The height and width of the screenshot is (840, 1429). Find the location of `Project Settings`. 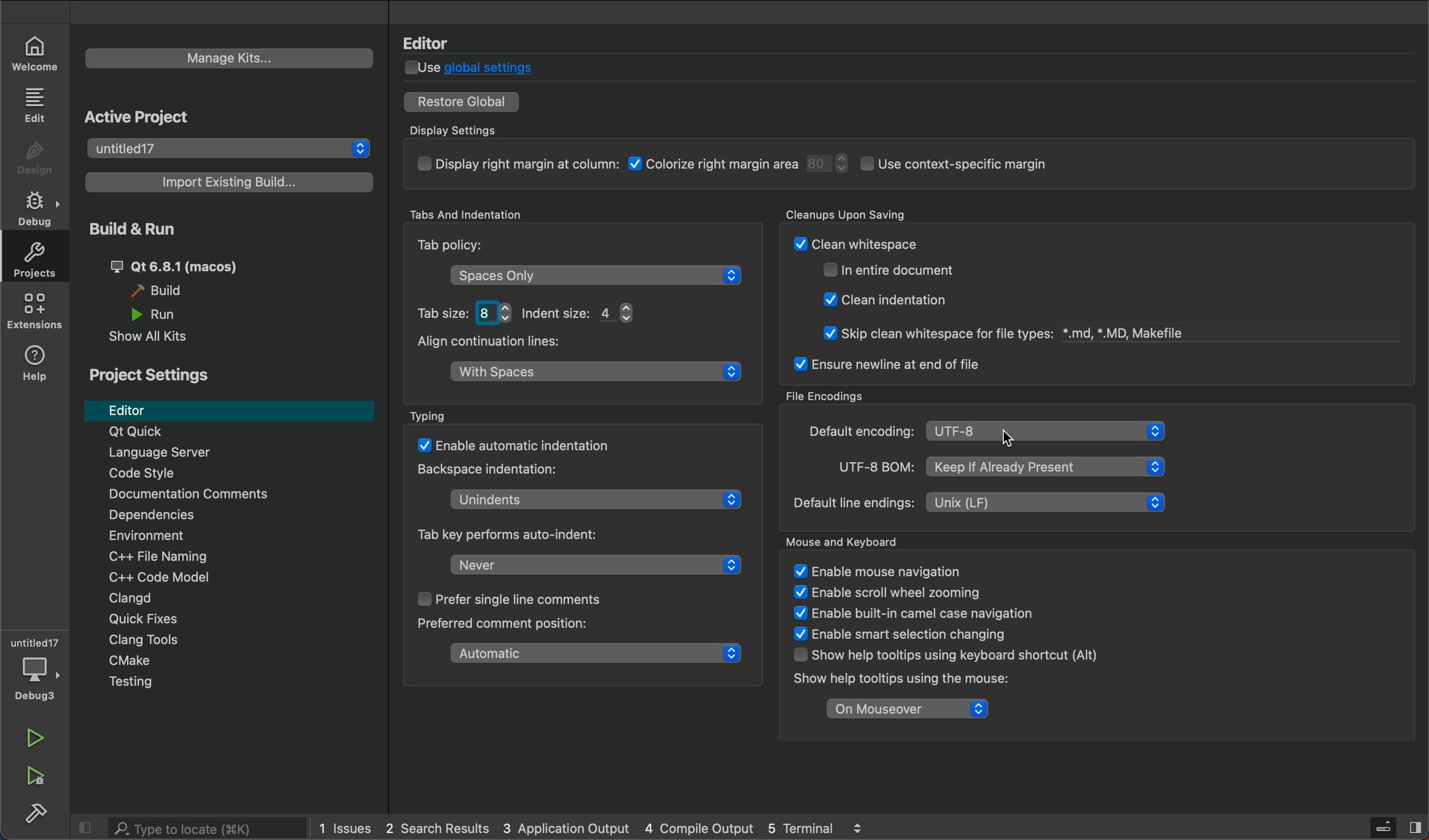

Project Settings is located at coordinates (160, 377).